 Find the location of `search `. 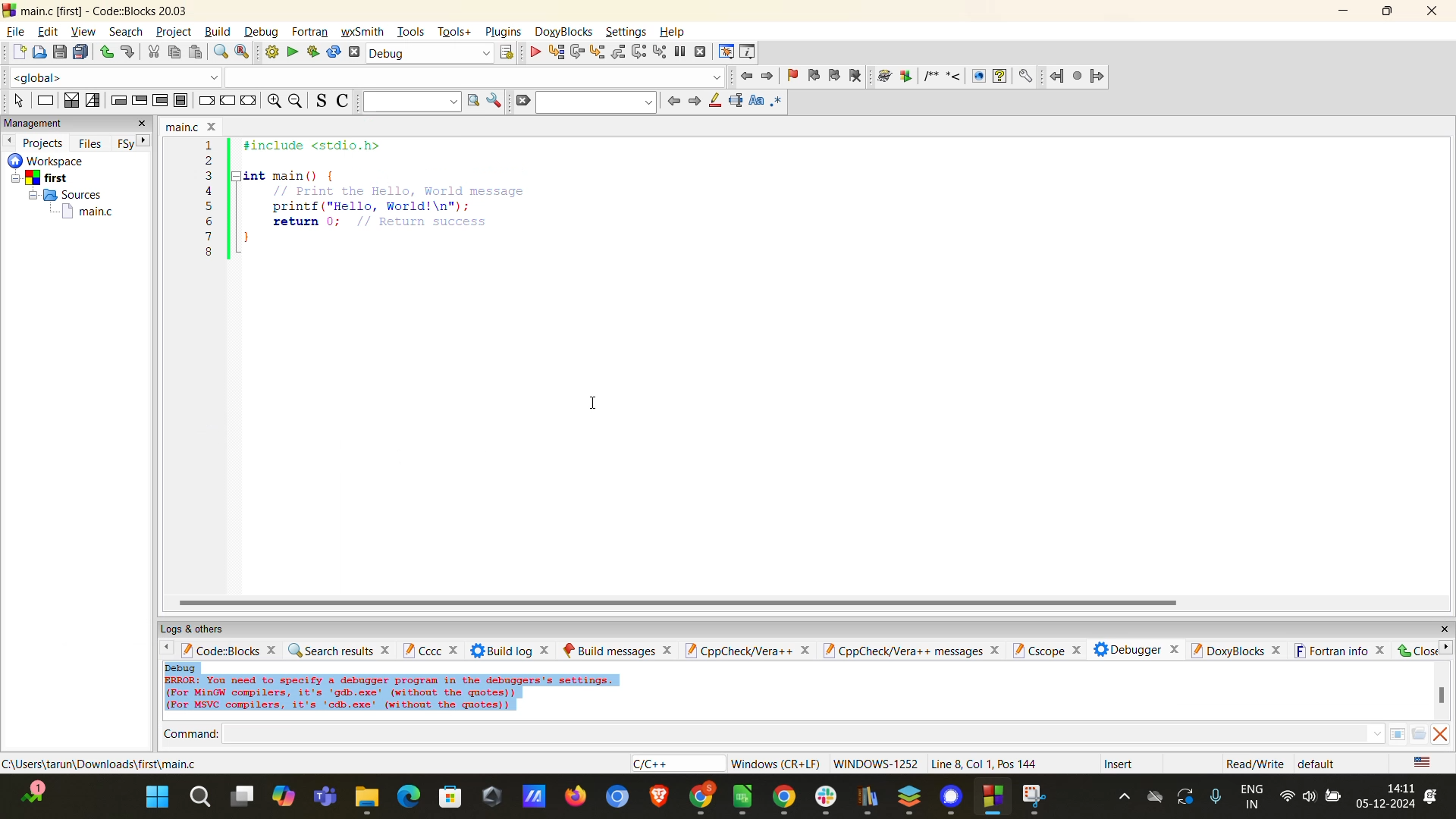

search  is located at coordinates (200, 799).